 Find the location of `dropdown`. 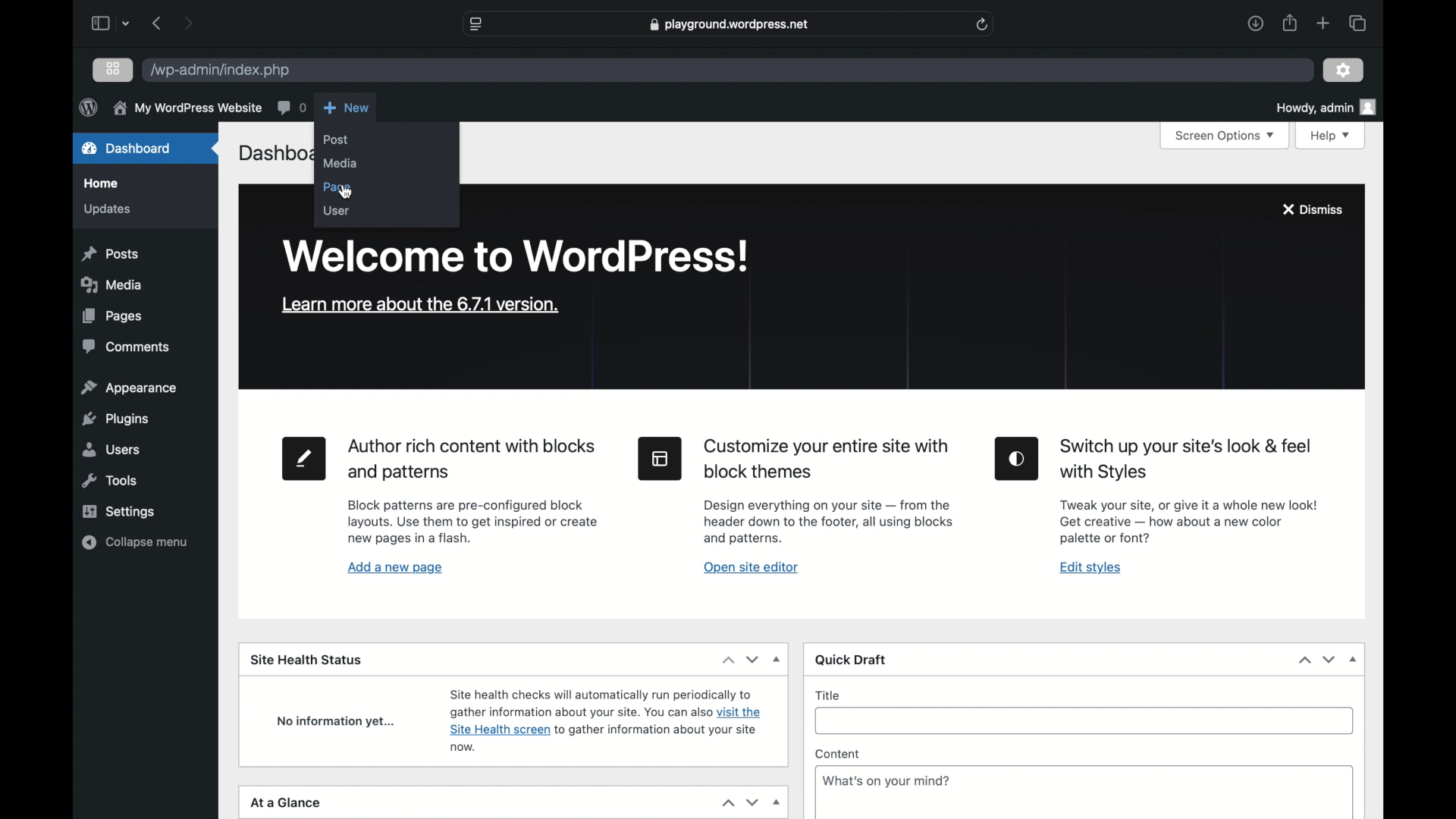

dropdown is located at coordinates (741, 658).